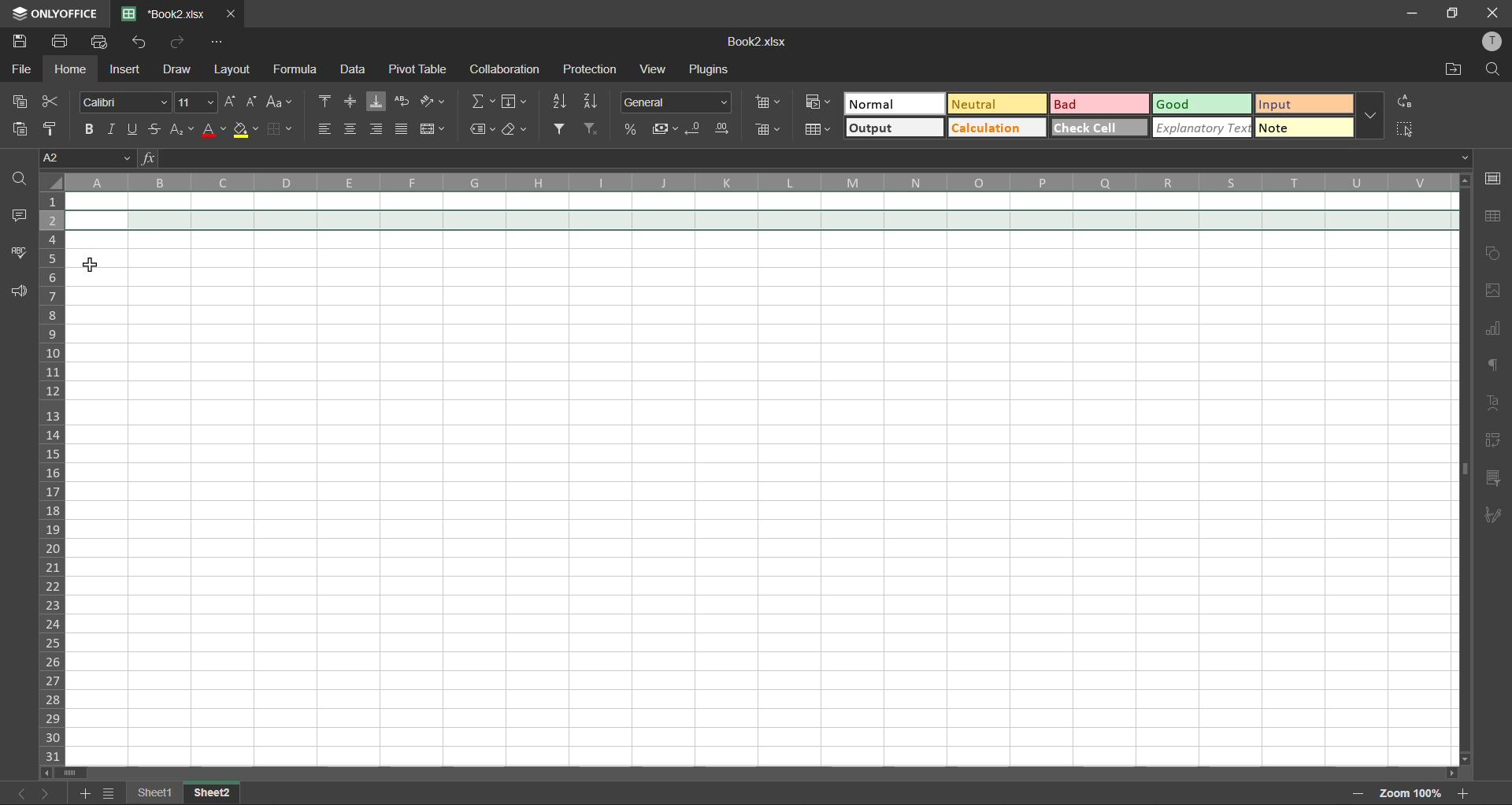 This screenshot has width=1512, height=805. What do you see at coordinates (769, 101) in the screenshot?
I see `insert cells` at bounding box center [769, 101].